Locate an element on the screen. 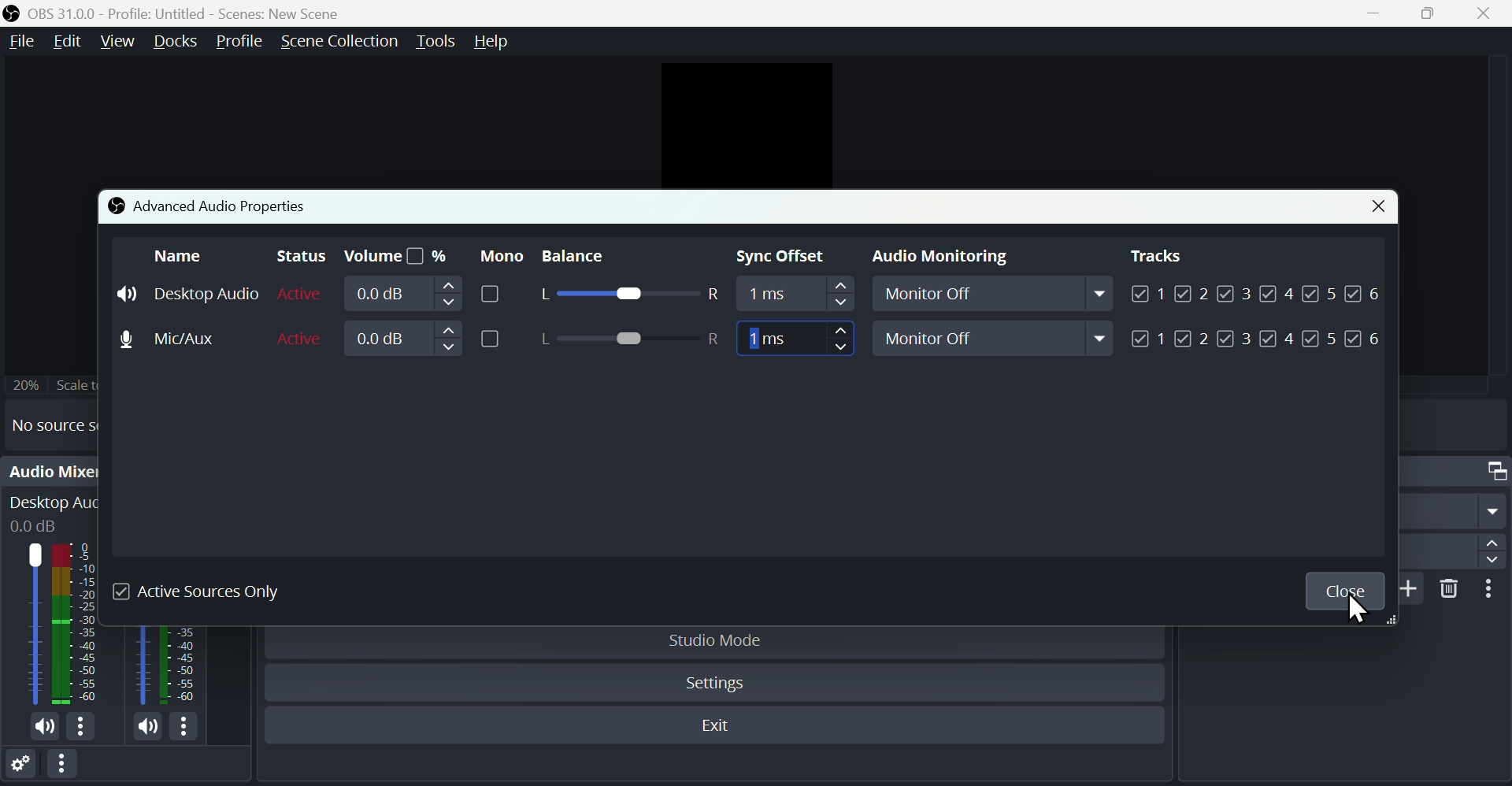 Image resolution: width=1512 pixels, height=786 pixels. (un)check Track 5 is located at coordinates (1323, 291).